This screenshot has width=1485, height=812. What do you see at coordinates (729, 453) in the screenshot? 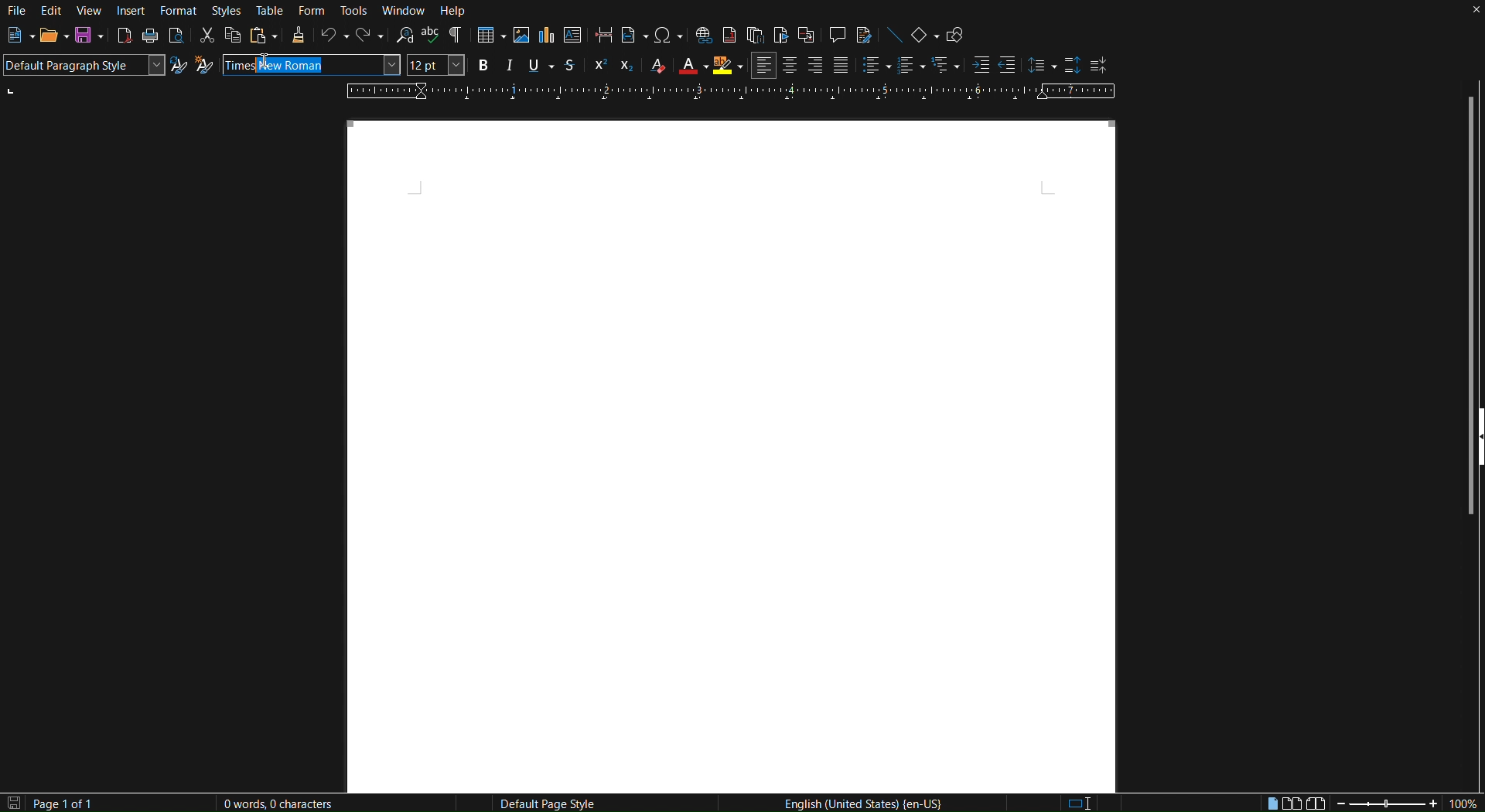
I see `Canvas` at bounding box center [729, 453].